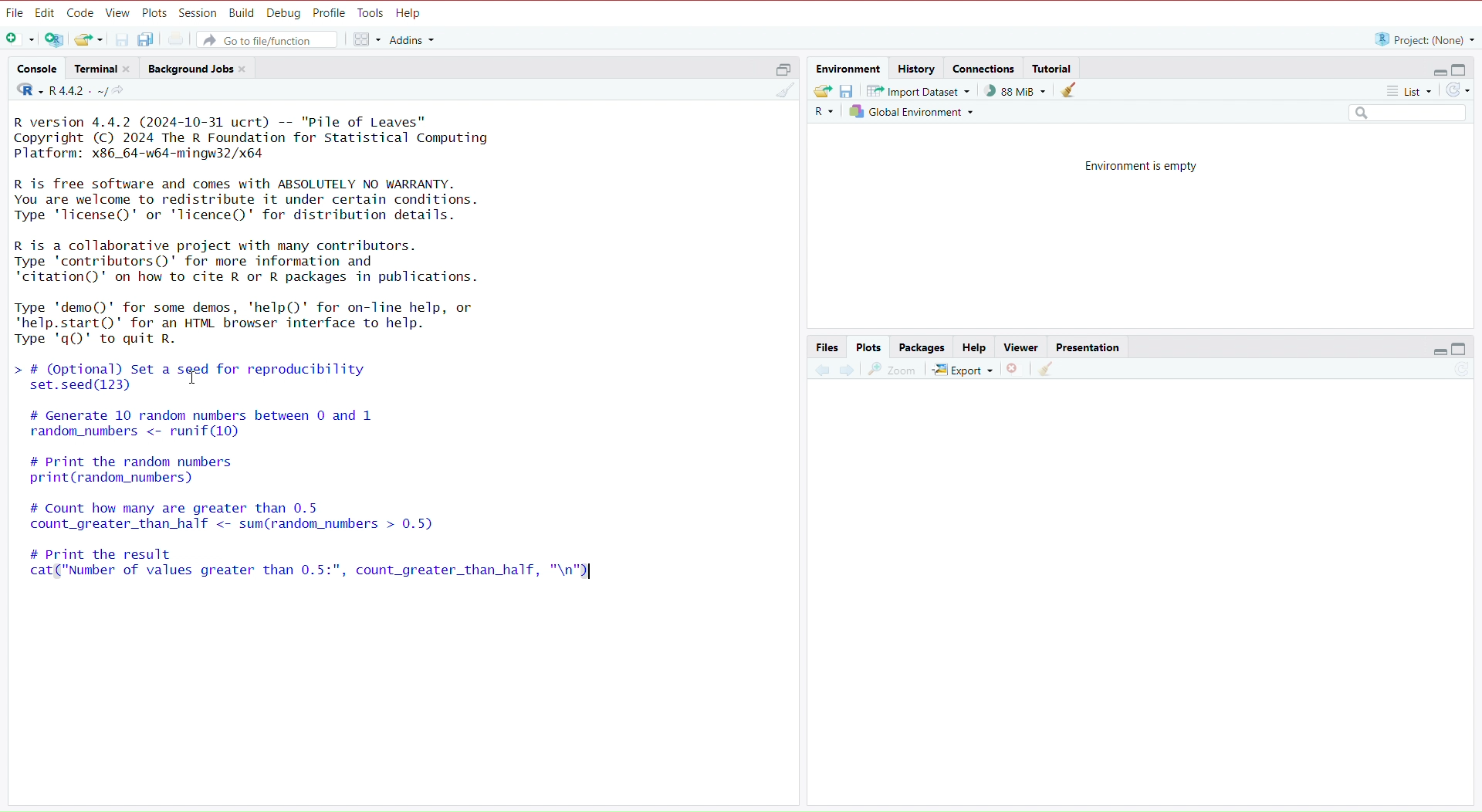 The image size is (1482, 812). Describe the element at coordinates (155, 12) in the screenshot. I see `Plots` at that location.